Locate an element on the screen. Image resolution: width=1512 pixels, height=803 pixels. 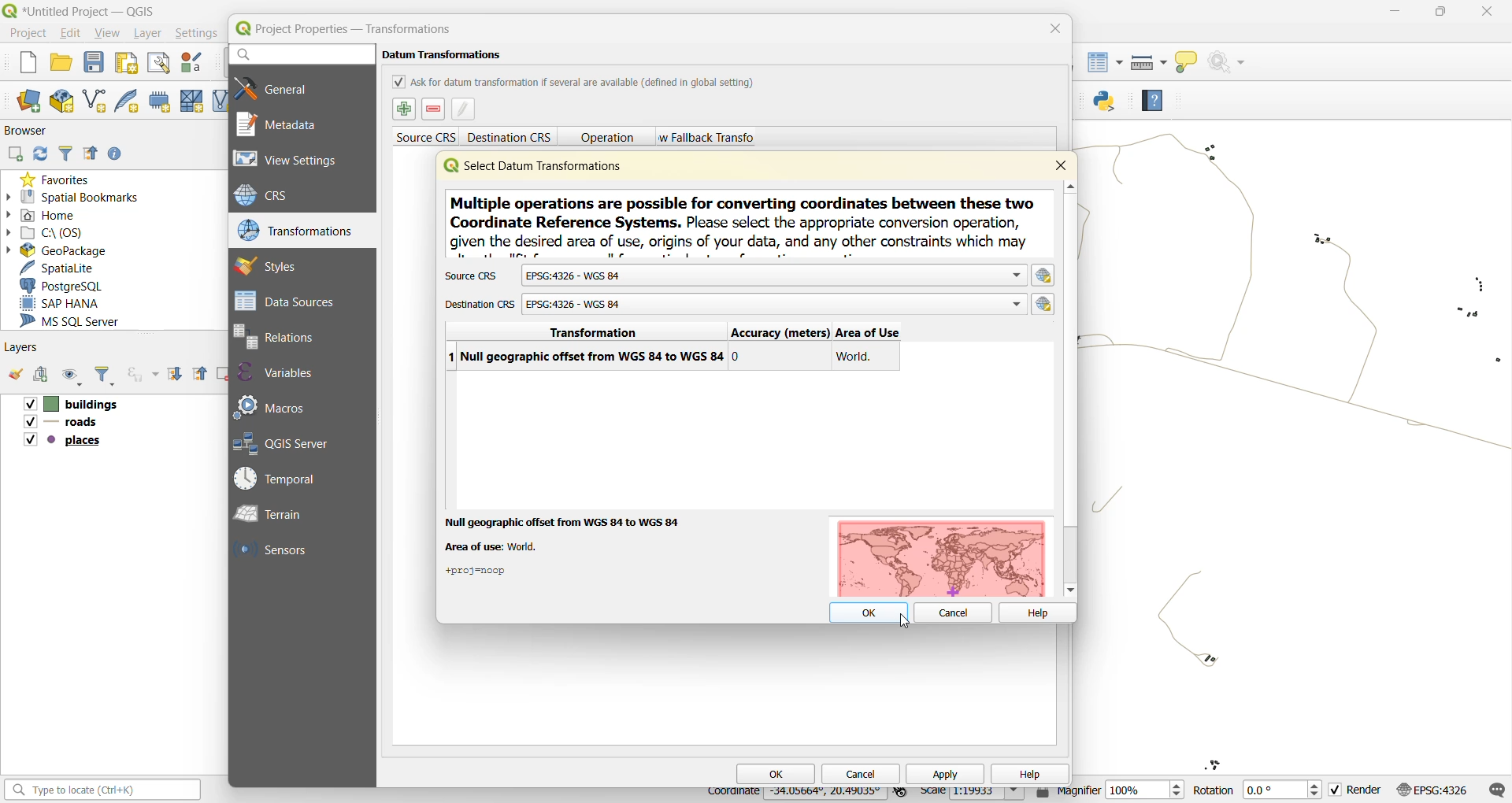
crs is located at coordinates (276, 197).